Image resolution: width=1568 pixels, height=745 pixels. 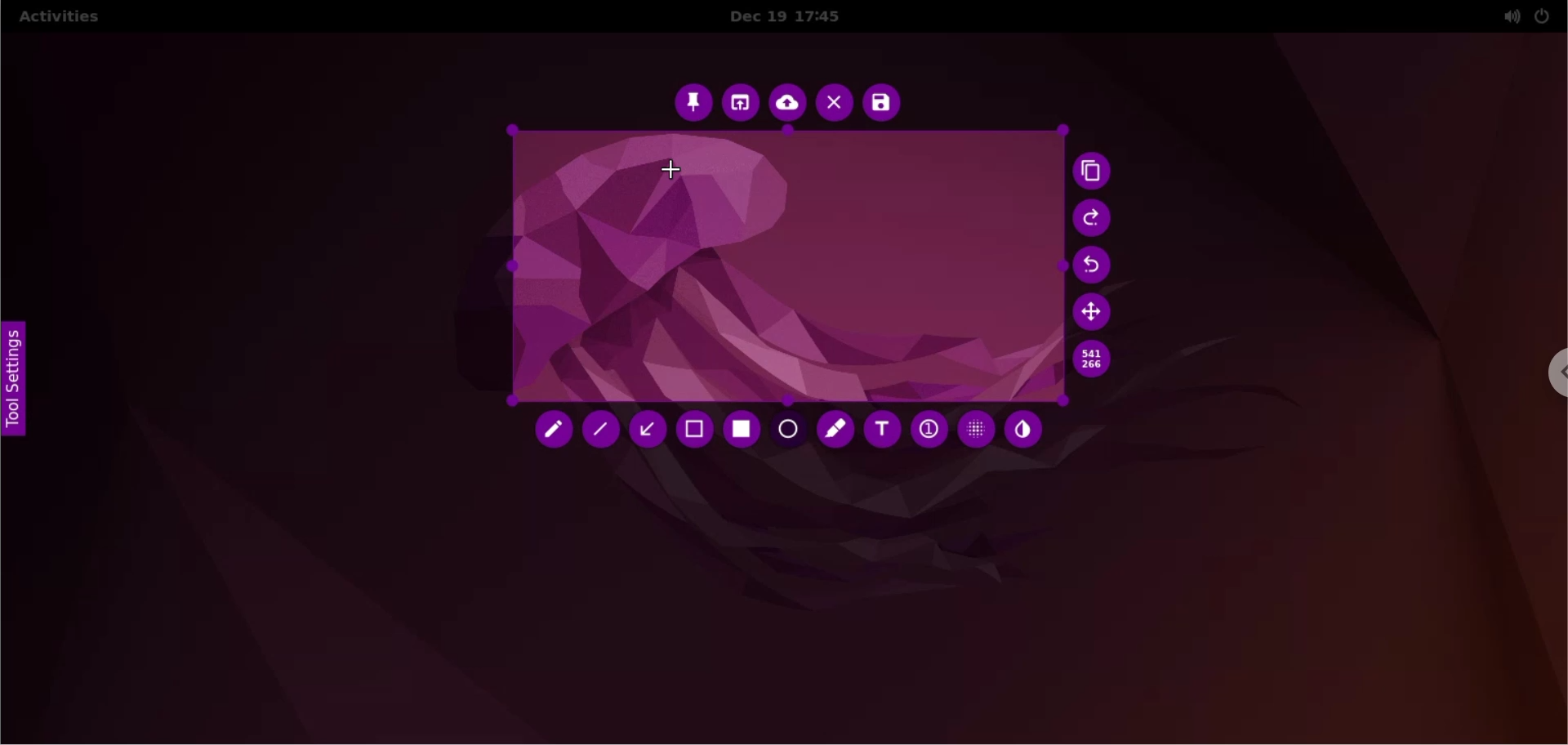 I want to click on auto increment , so click(x=927, y=428).